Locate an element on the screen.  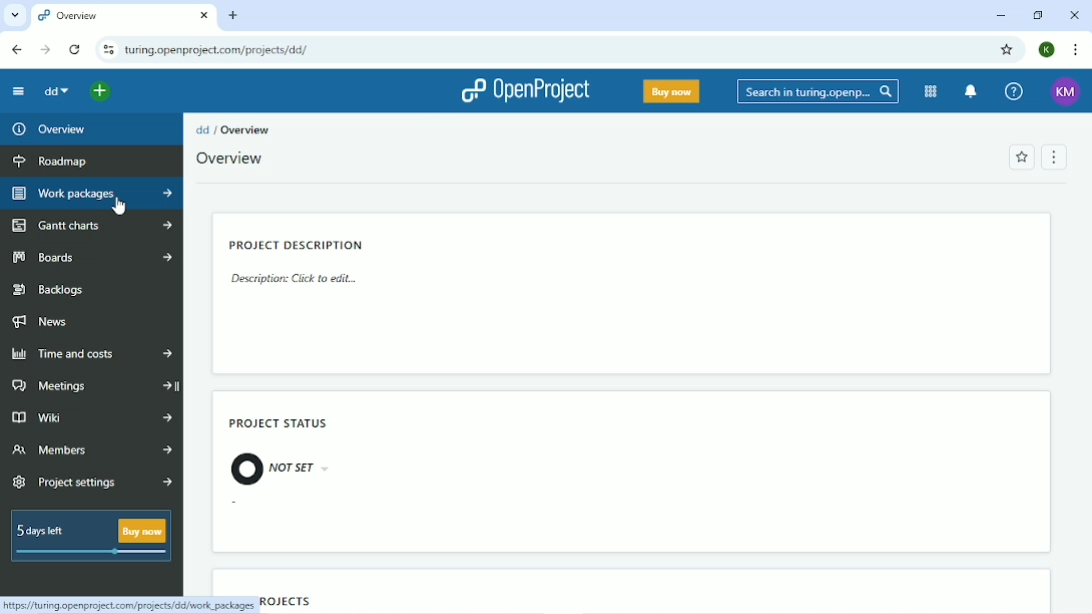
dd is located at coordinates (55, 91).